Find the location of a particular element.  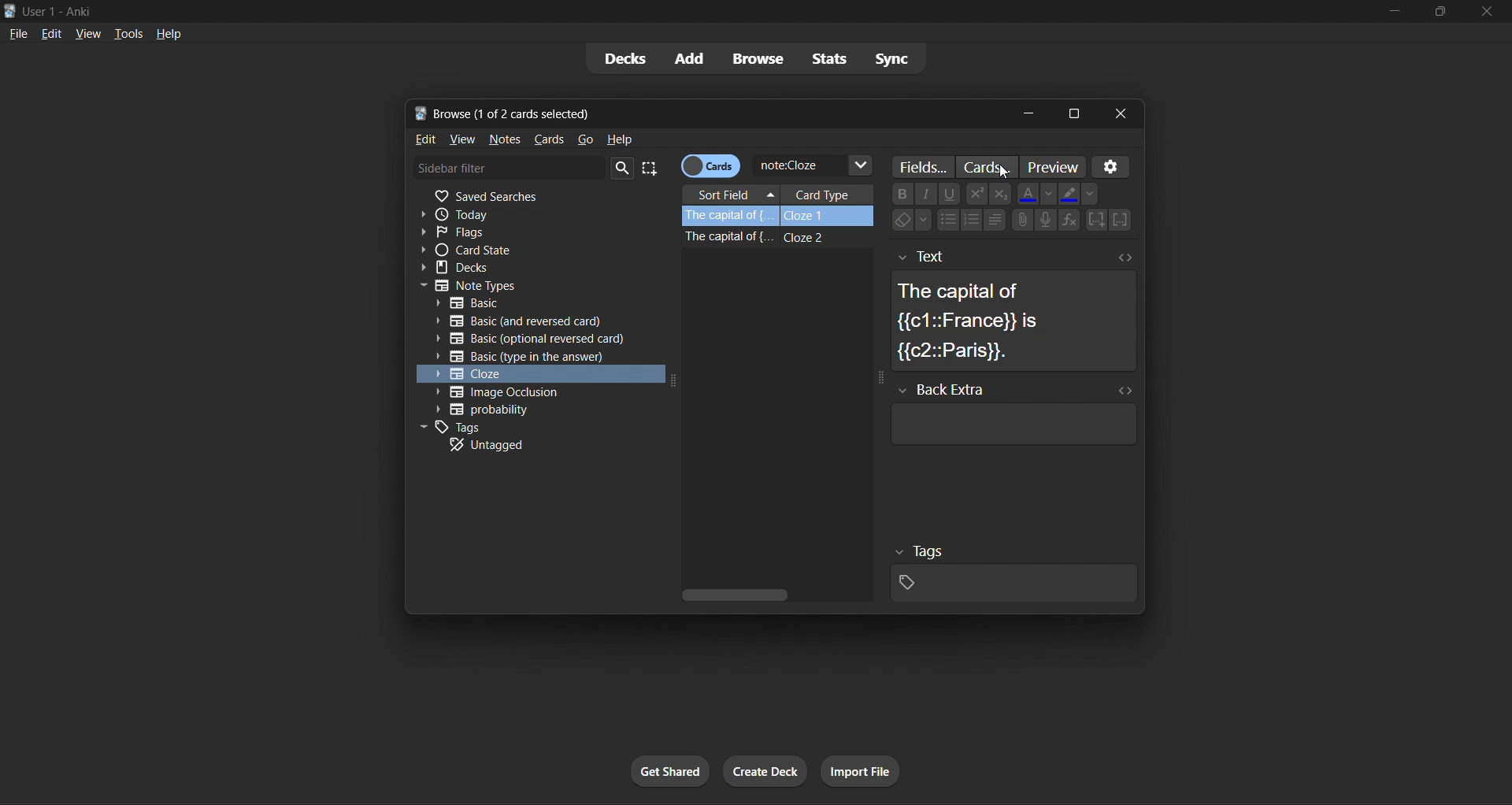

close is located at coordinates (1123, 113).